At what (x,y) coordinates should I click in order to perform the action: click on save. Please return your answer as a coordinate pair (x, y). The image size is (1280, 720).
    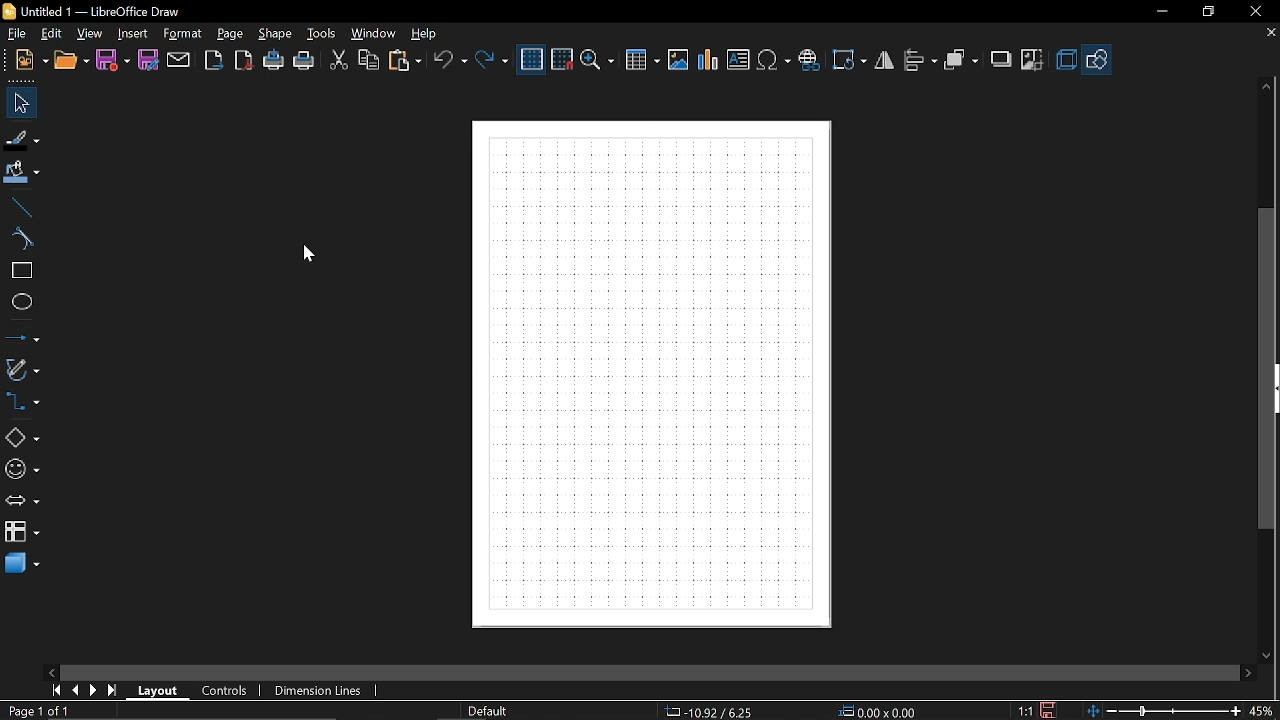
    Looking at the image, I should click on (1050, 710).